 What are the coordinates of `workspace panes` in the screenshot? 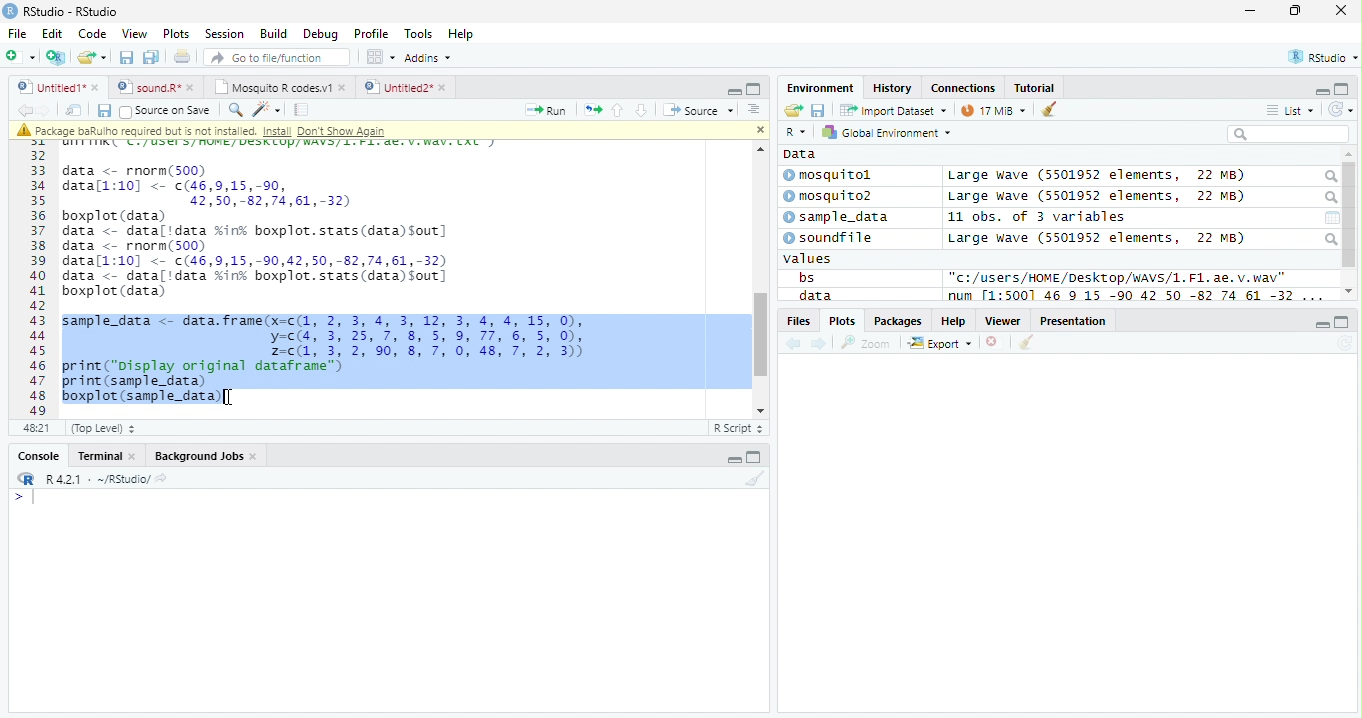 It's located at (382, 57).